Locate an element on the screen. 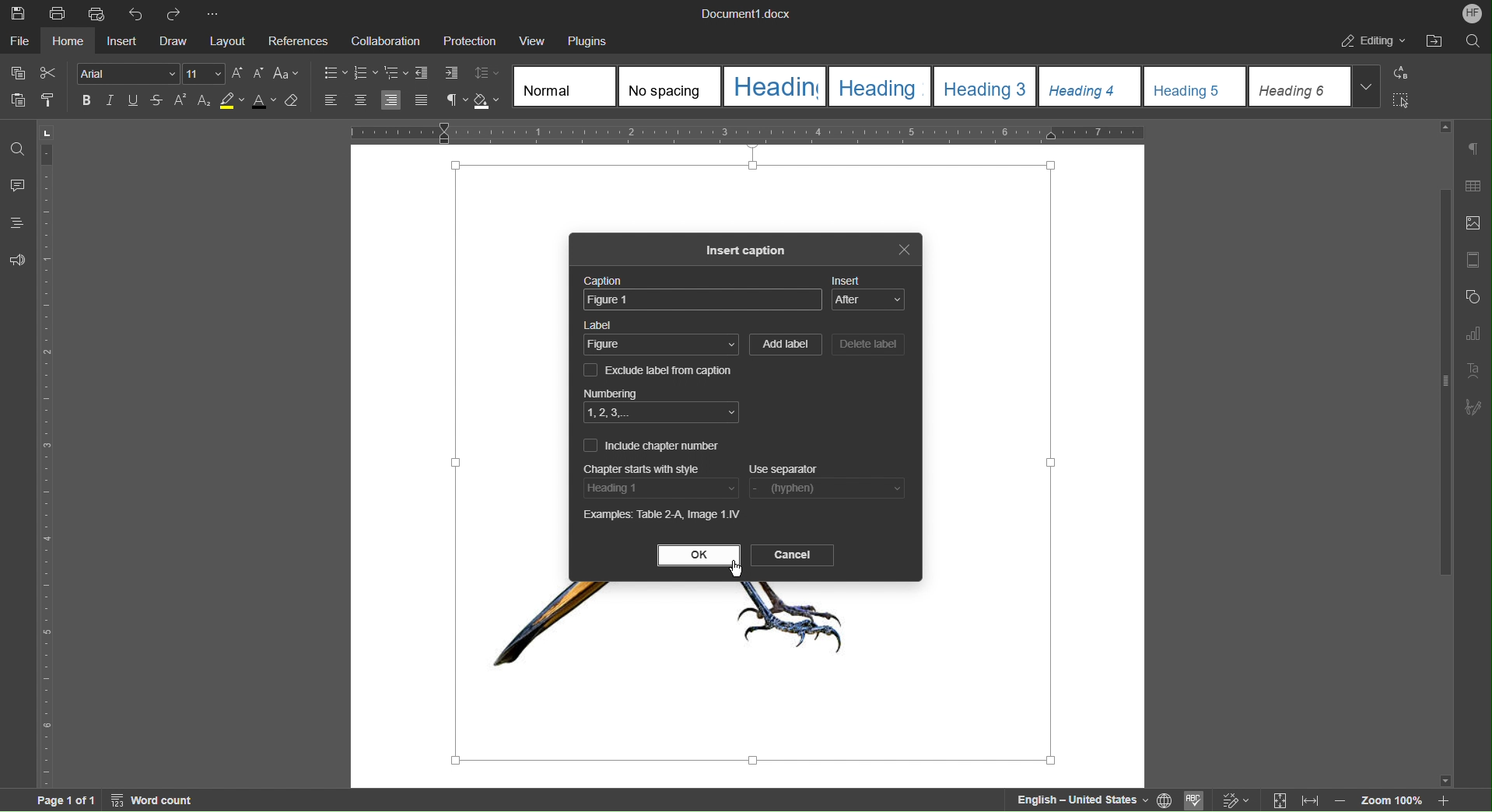 This screenshot has width=1492, height=812. Figure is located at coordinates (662, 346).